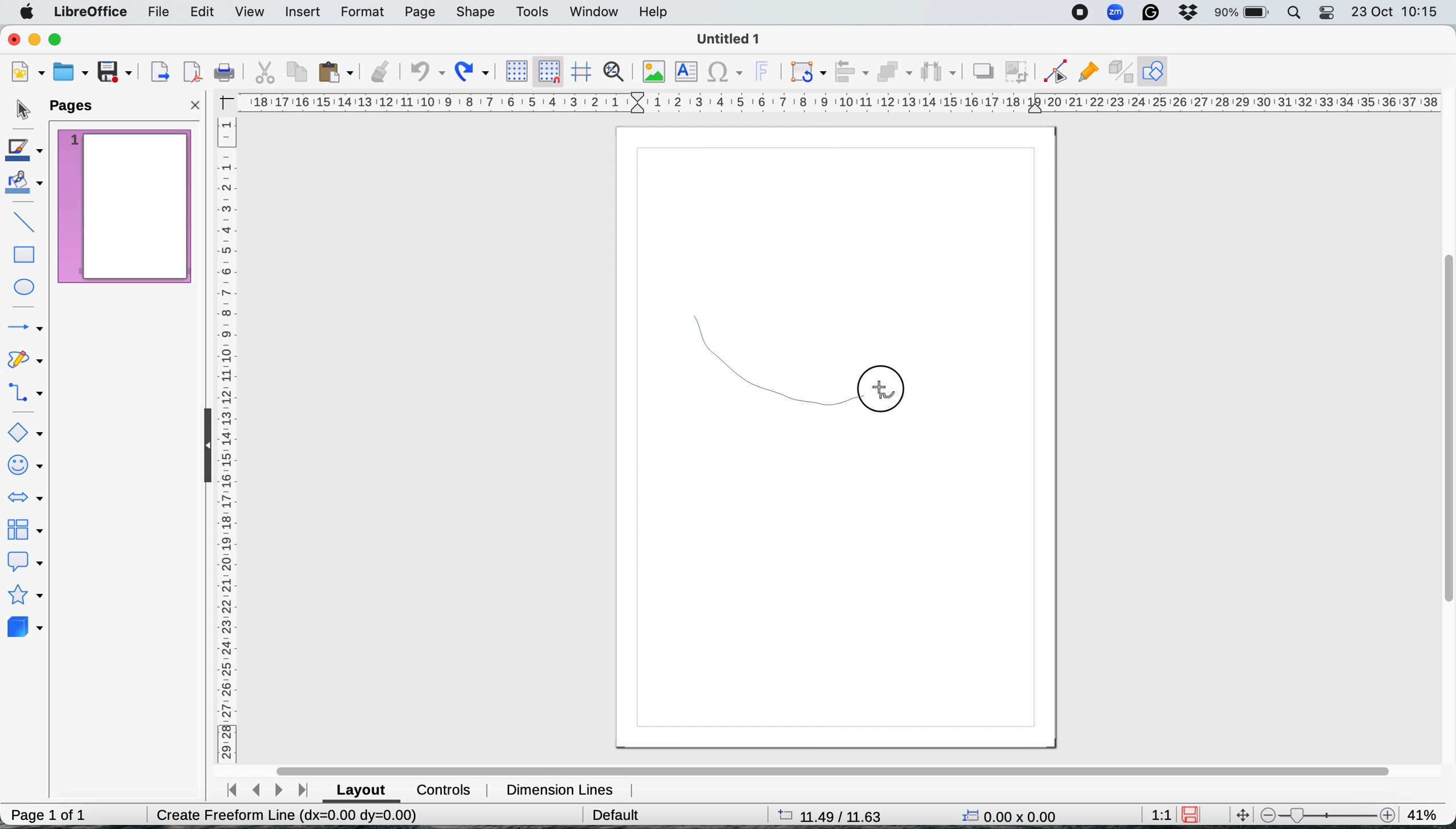 The height and width of the screenshot is (829, 1456). What do you see at coordinates (657, 13) in the screenshot?
I see `help` at bounding box center [657, 13].